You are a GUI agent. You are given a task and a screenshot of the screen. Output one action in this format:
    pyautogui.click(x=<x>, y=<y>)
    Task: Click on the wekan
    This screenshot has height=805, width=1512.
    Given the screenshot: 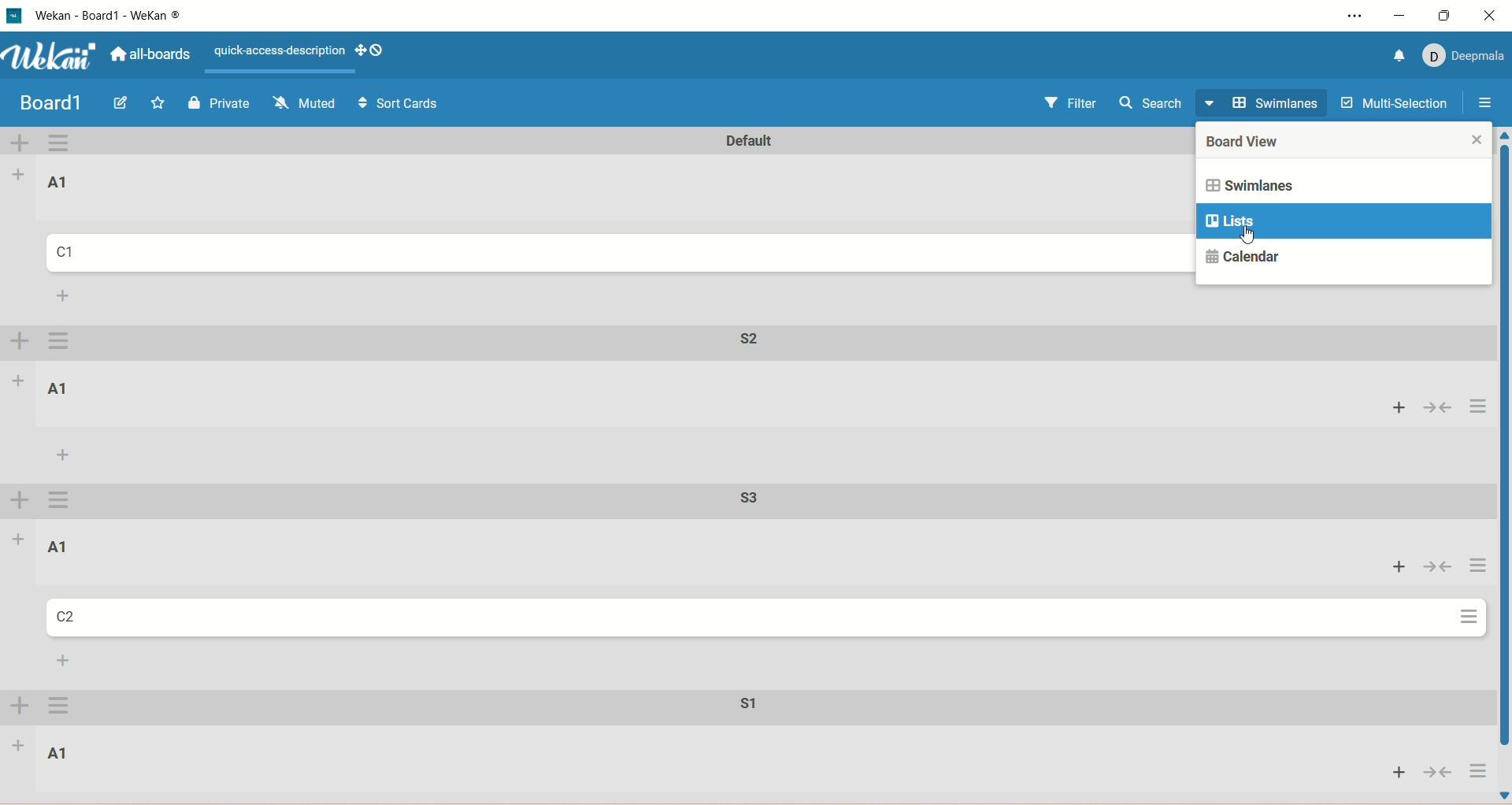 What is the action you would take?
    pyautogui.click(x=53, y=58)
    